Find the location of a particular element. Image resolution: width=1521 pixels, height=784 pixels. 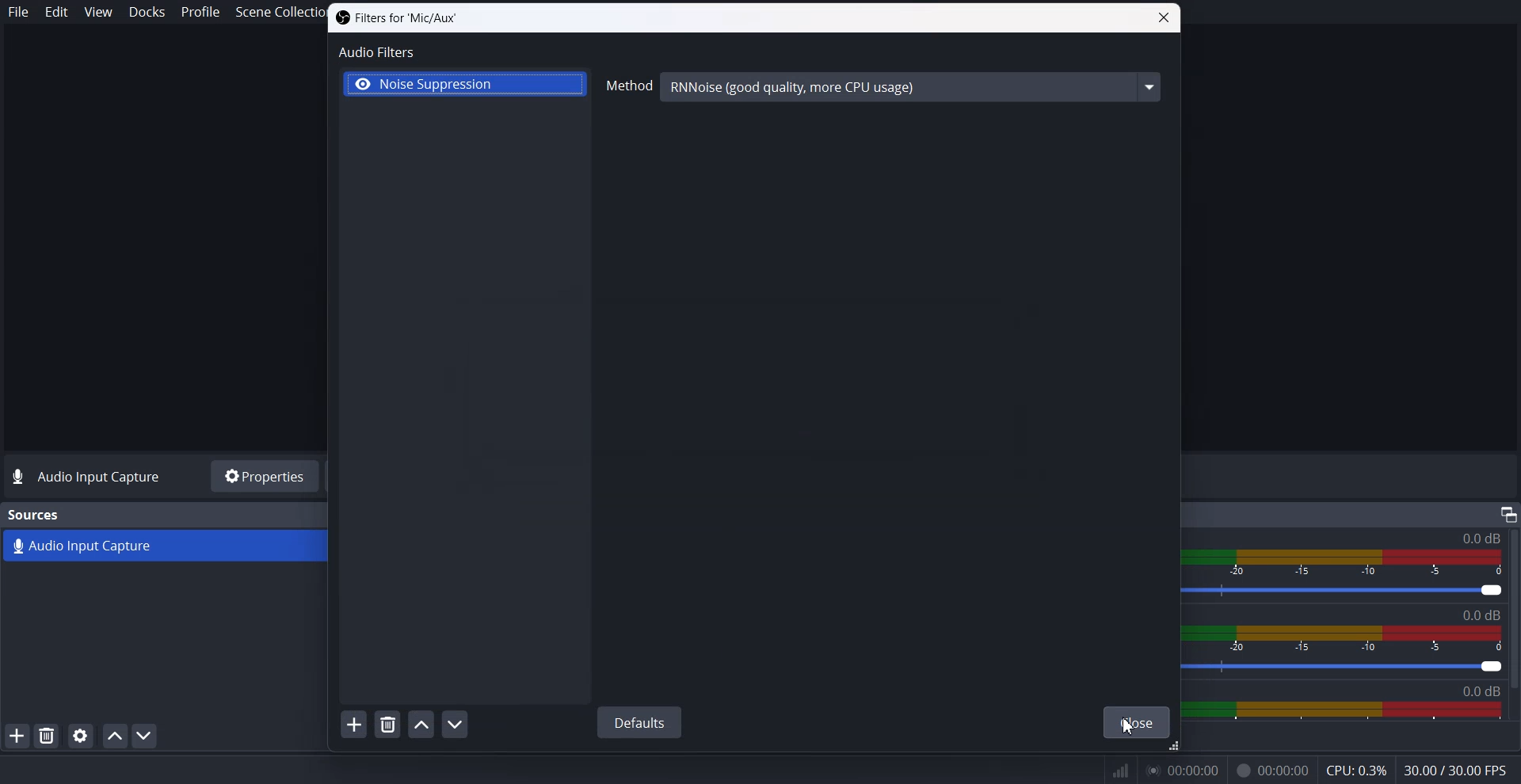

Text is located at coordinates (395, 18).